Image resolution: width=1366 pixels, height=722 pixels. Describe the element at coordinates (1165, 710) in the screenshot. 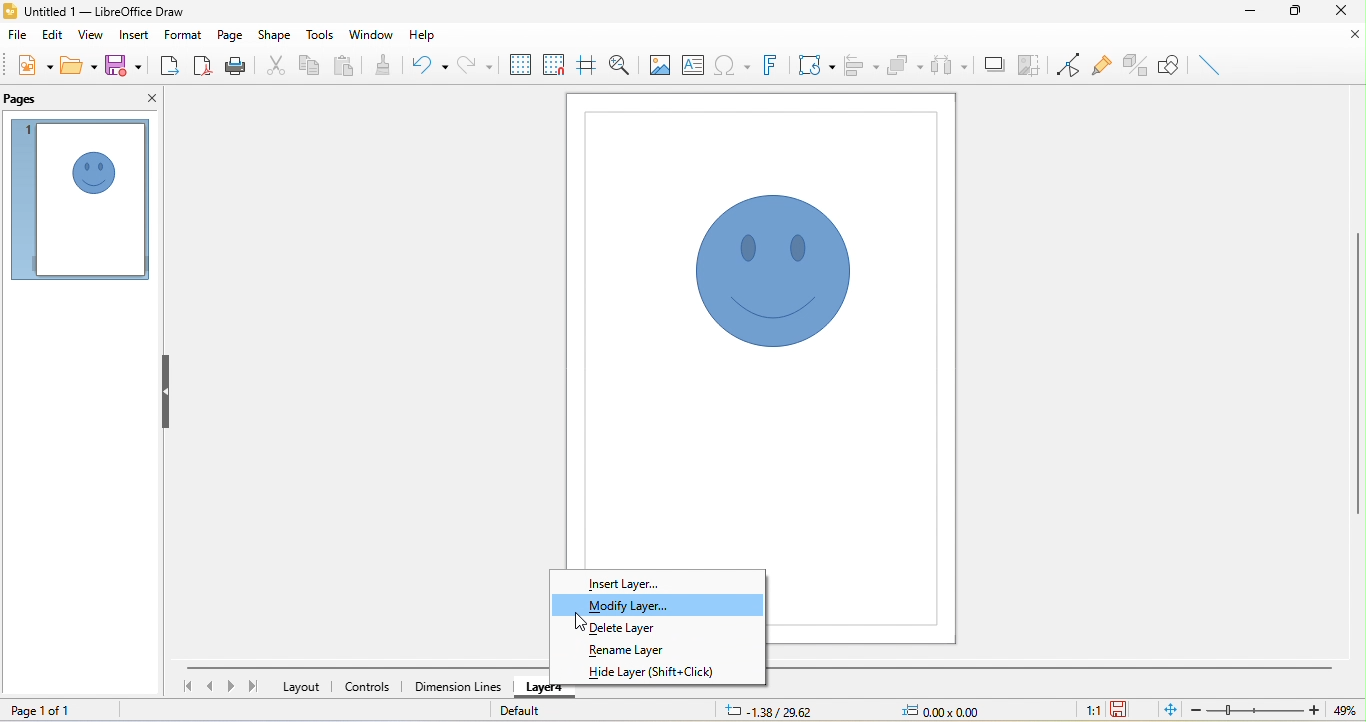

I see `fit to the current window` at that location.